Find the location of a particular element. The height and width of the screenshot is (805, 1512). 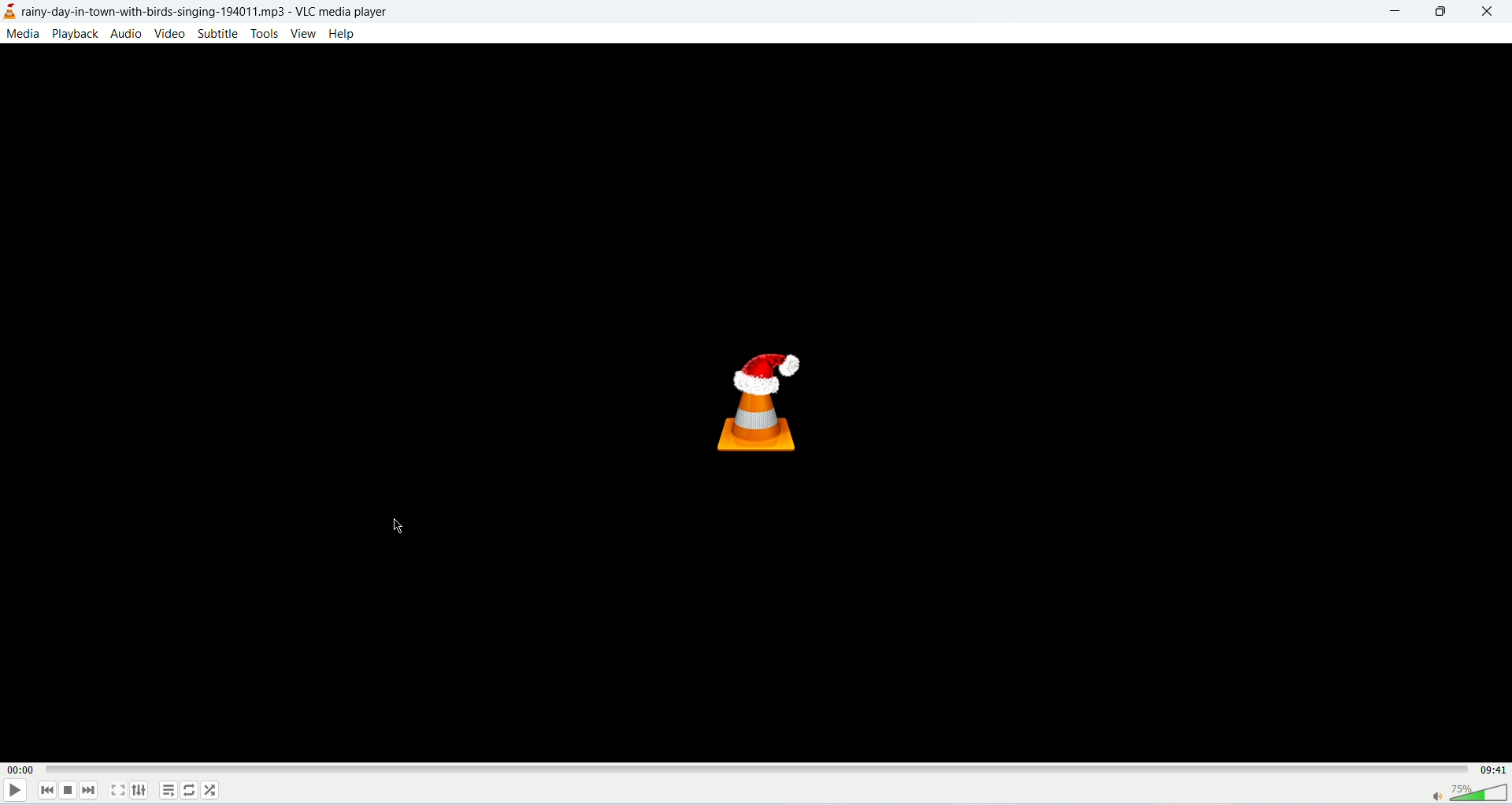

extended settings is located at coordinates (144, 789).